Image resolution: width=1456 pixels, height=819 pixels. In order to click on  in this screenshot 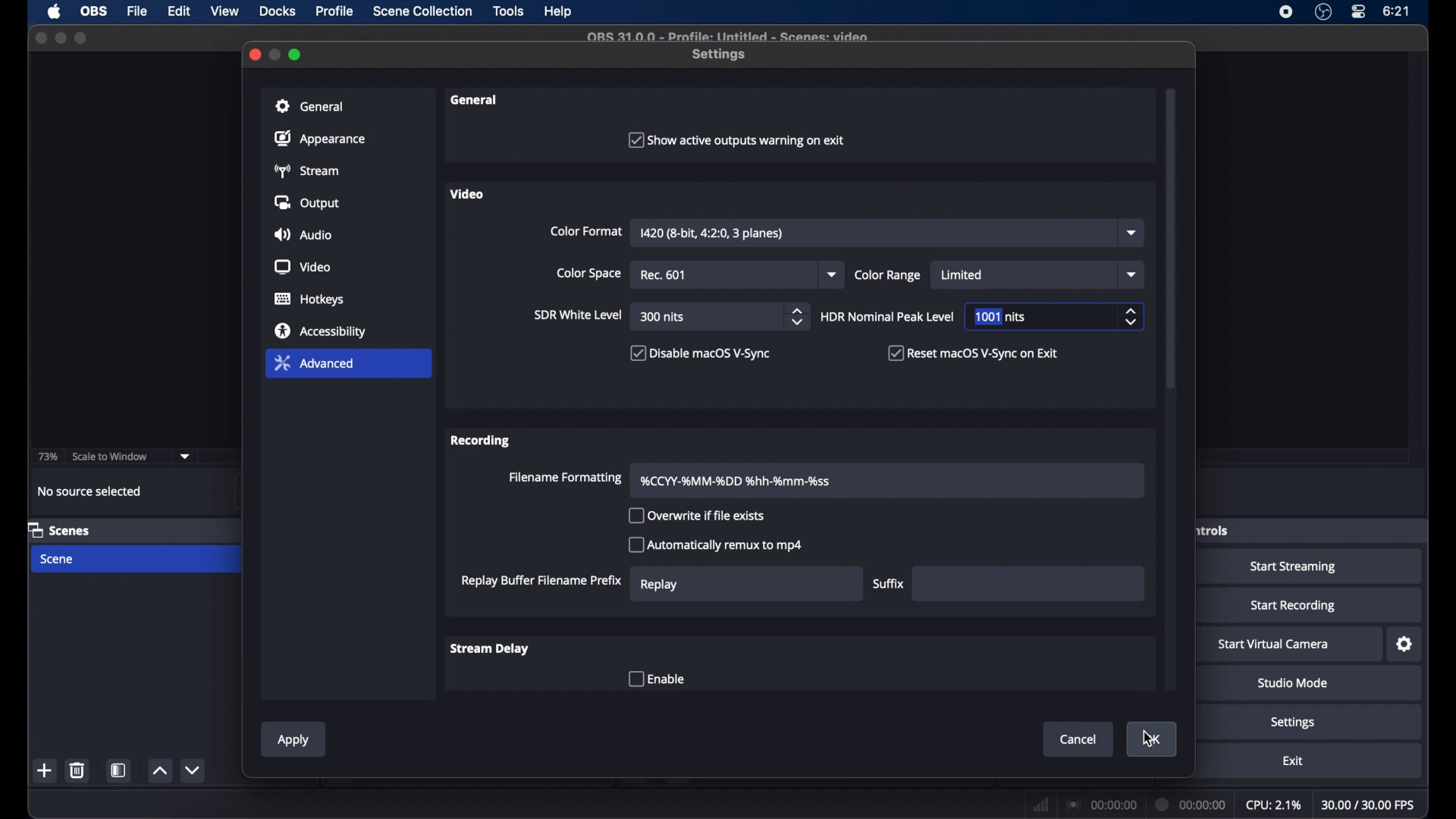, I will do `click(422, 12)`.